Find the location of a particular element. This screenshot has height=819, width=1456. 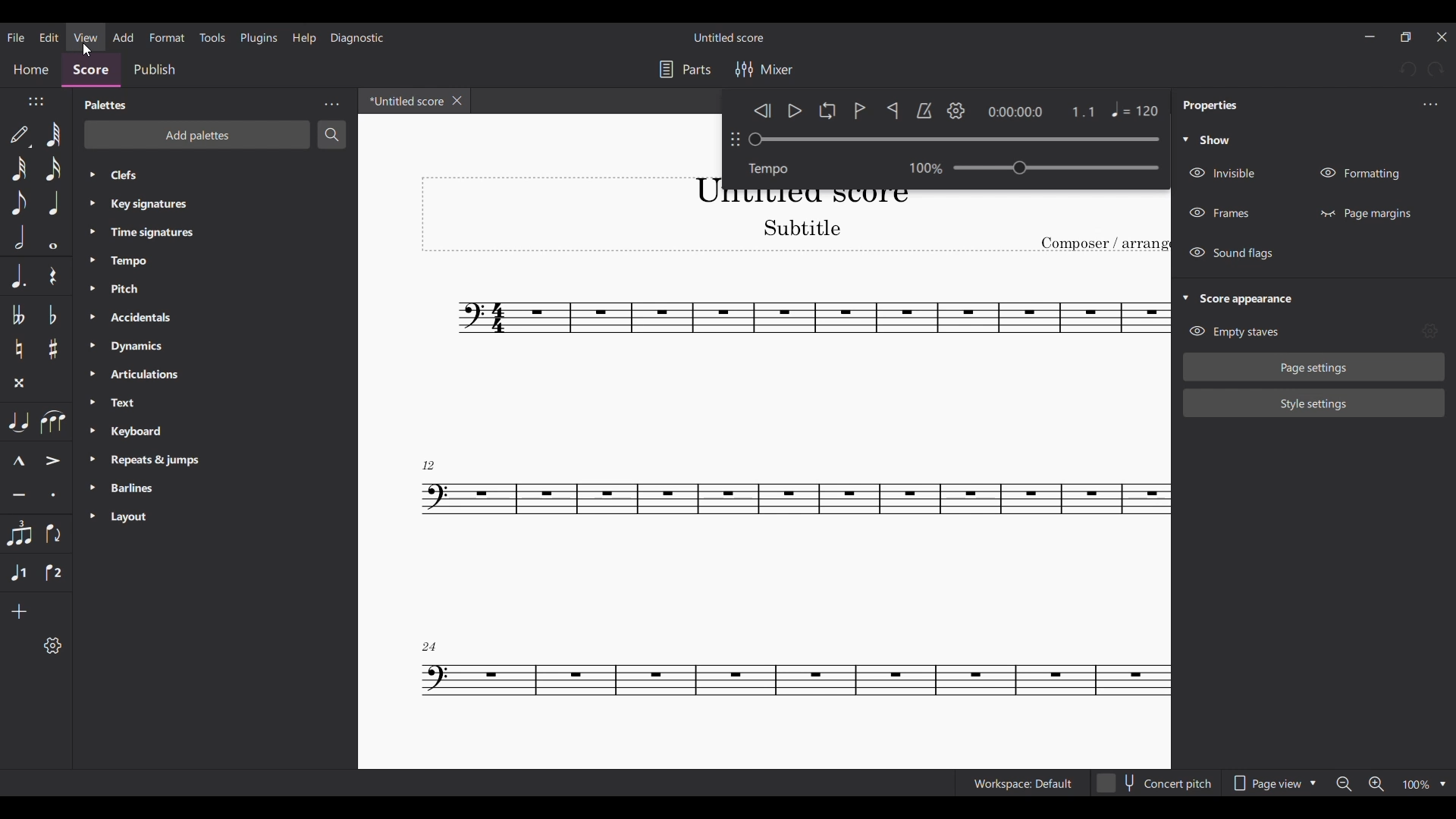

Add is located at coordinates (18, 612).